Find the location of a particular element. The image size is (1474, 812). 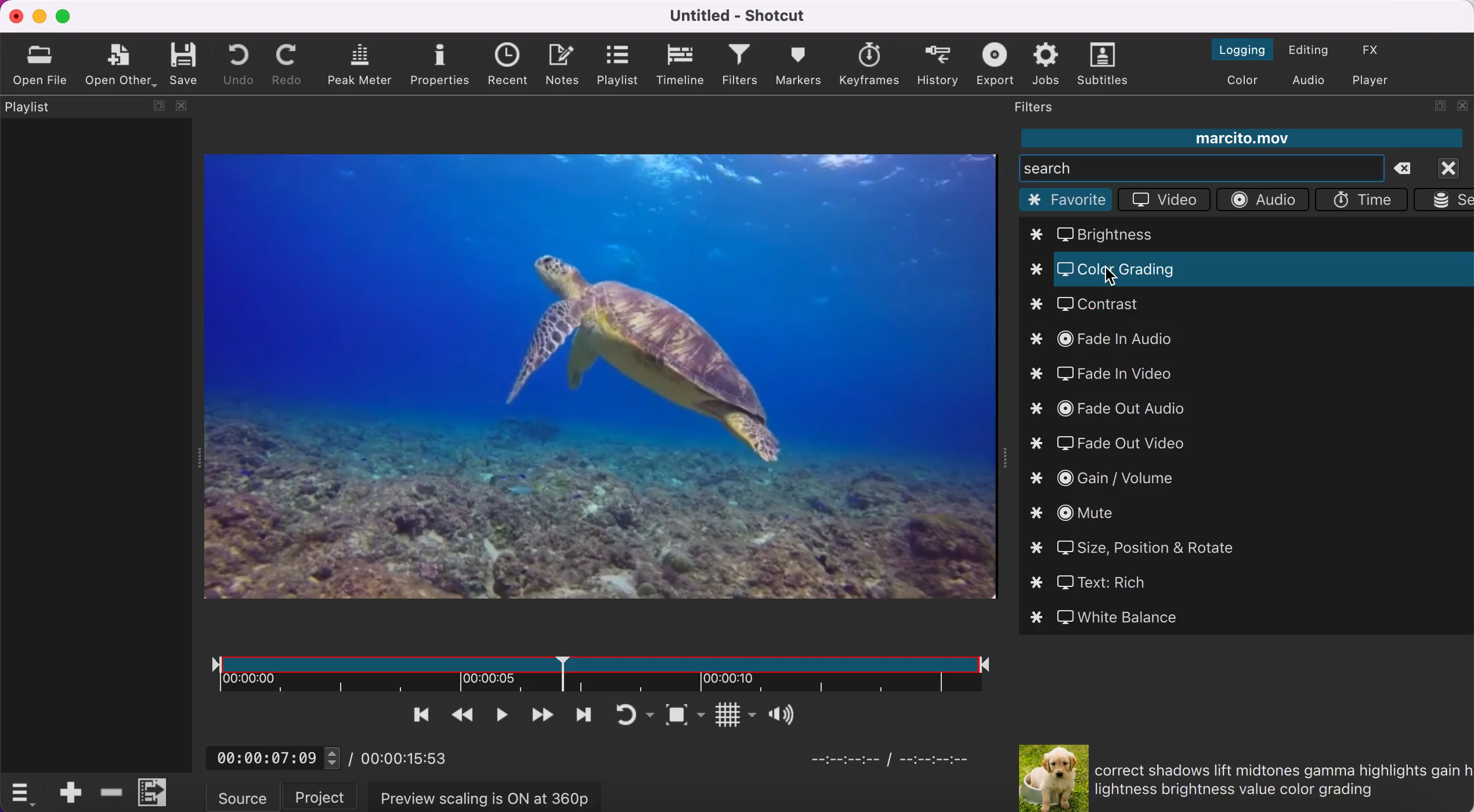

jobs is located at coordinates (1043, 66).